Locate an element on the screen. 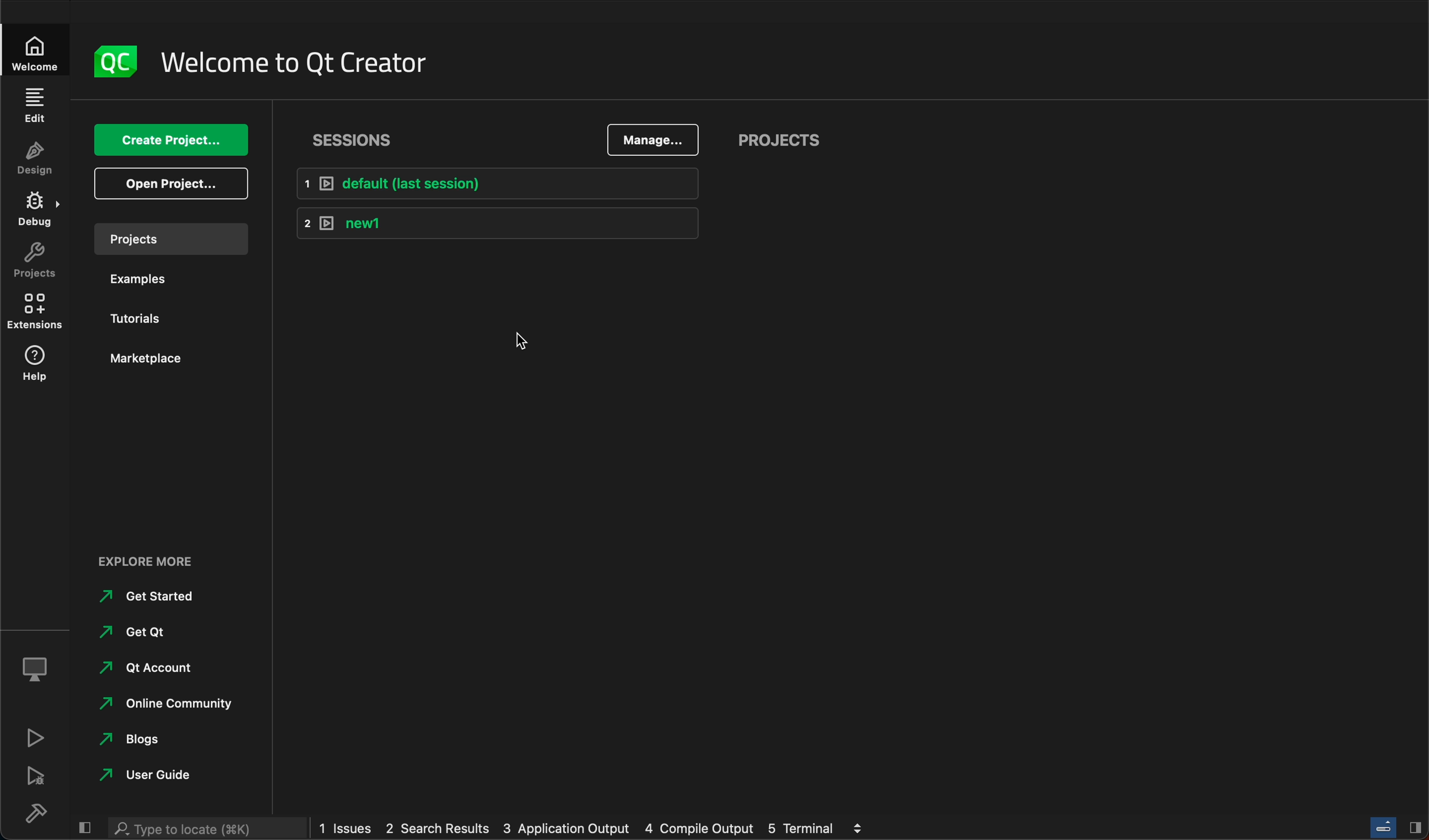 The height and width of the screenshot is (840, 1429). explore more is located at coordinates (152, 555).